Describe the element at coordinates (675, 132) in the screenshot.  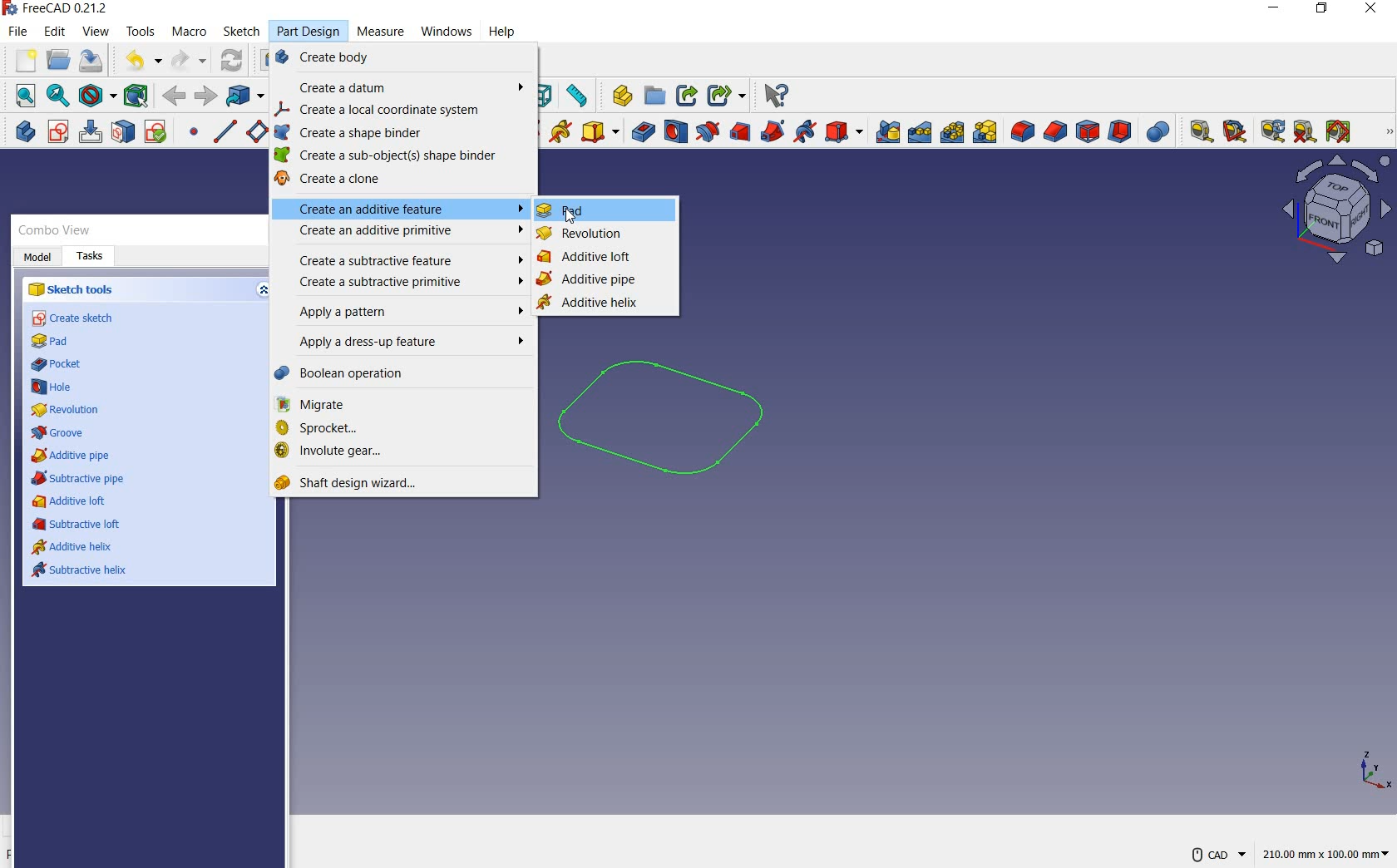
I see `hole` at that location.